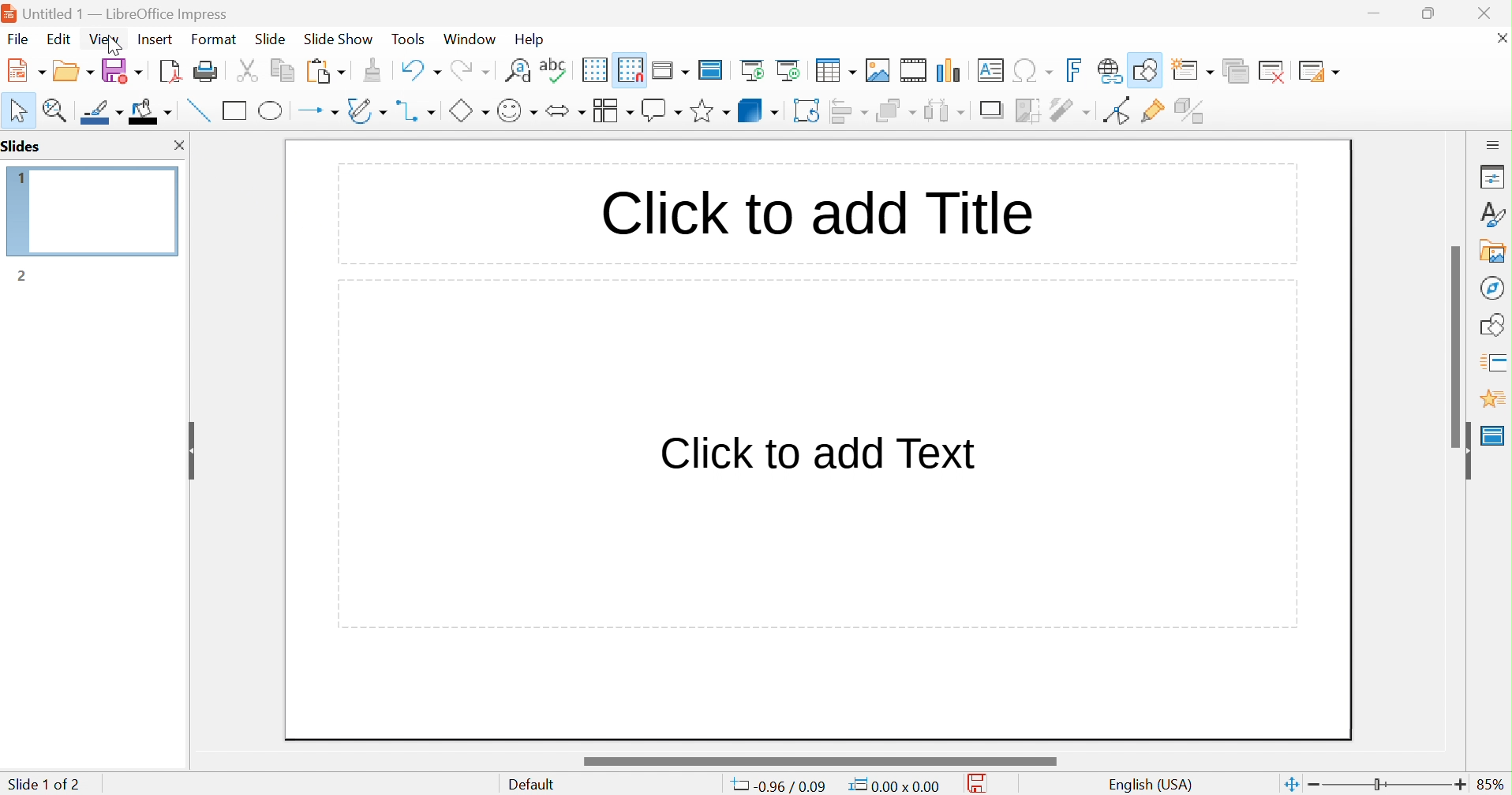 Image resolution: width=1512 pixels, height=795 pixels. Describe the element at coordinates (235, 110) in the screenshot. I see `rectangle` at that location.